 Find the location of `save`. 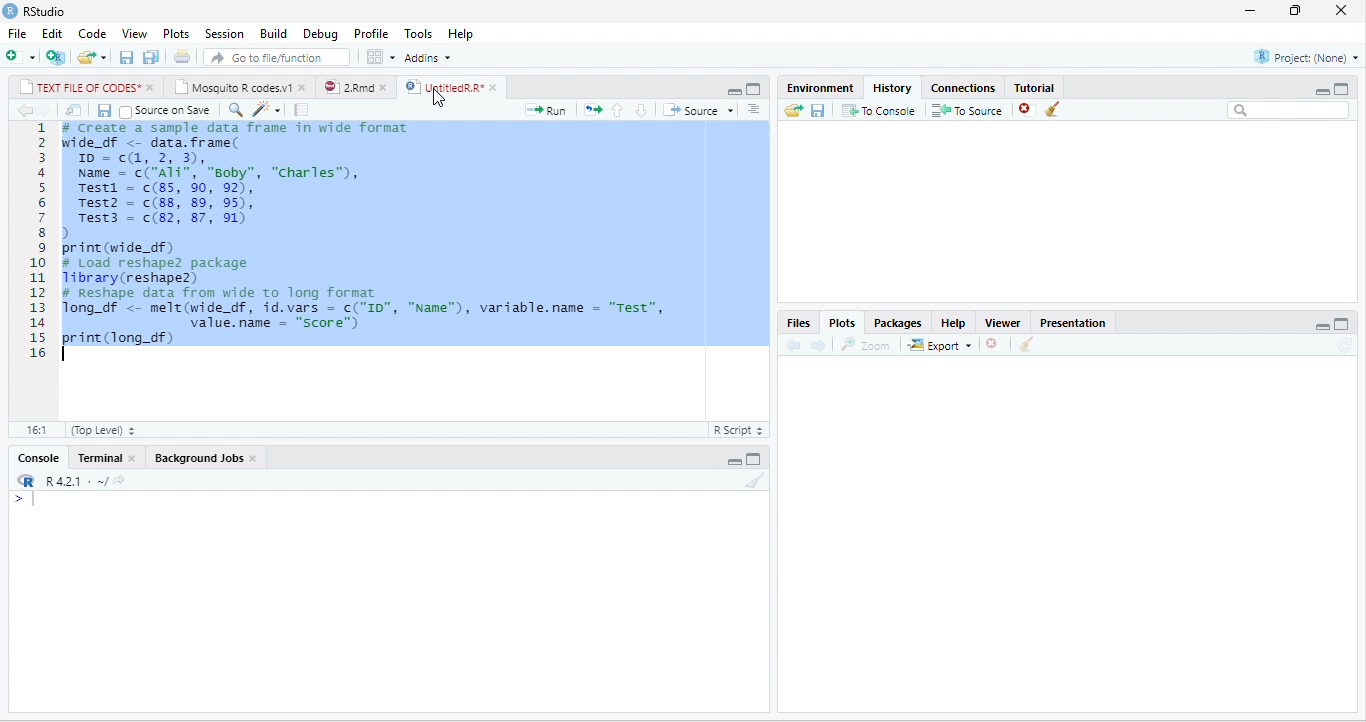

save is located at coordinates (128, 57).